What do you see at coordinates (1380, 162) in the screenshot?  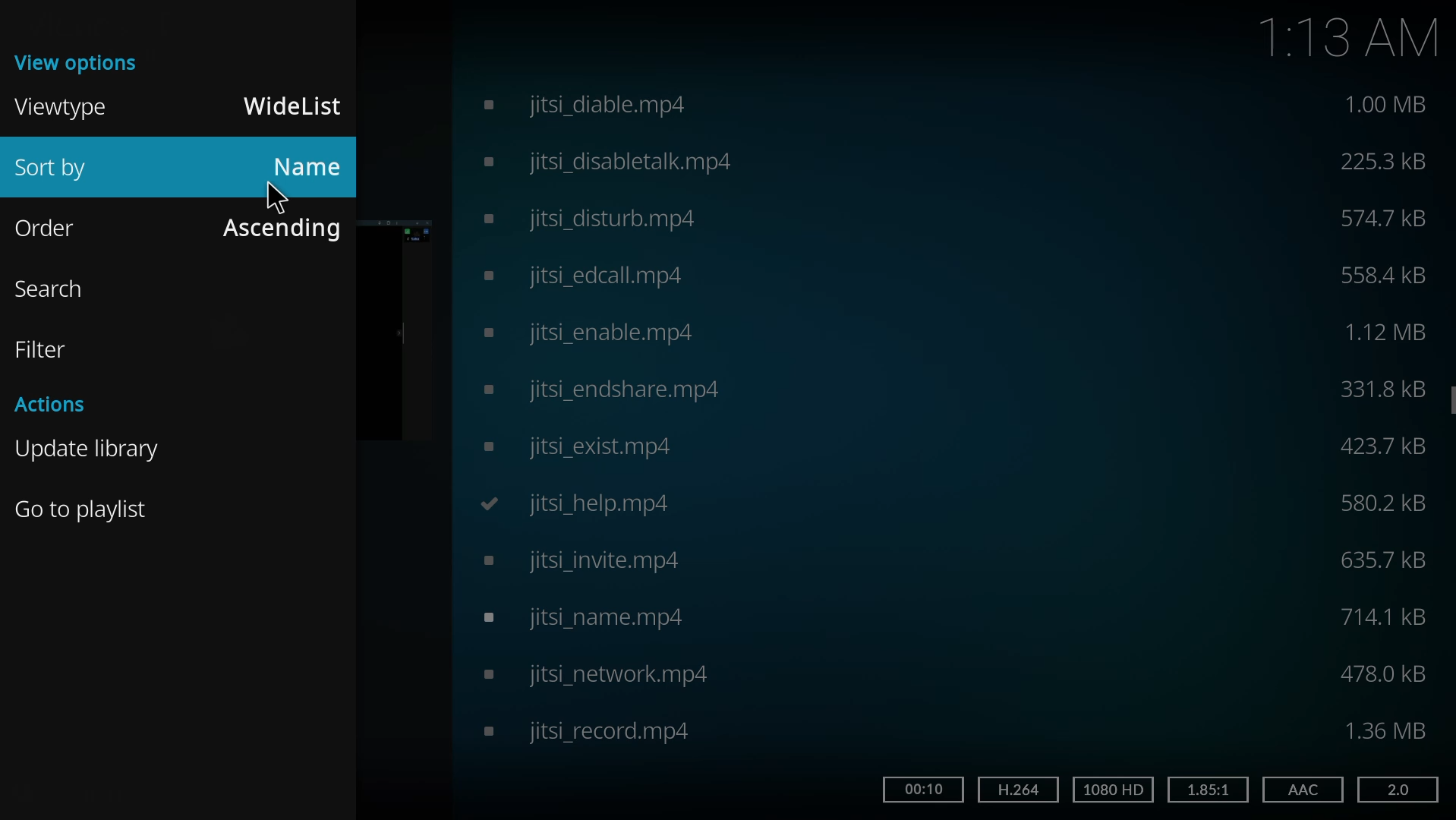 I see `size` at bounding box center [1380, 162].